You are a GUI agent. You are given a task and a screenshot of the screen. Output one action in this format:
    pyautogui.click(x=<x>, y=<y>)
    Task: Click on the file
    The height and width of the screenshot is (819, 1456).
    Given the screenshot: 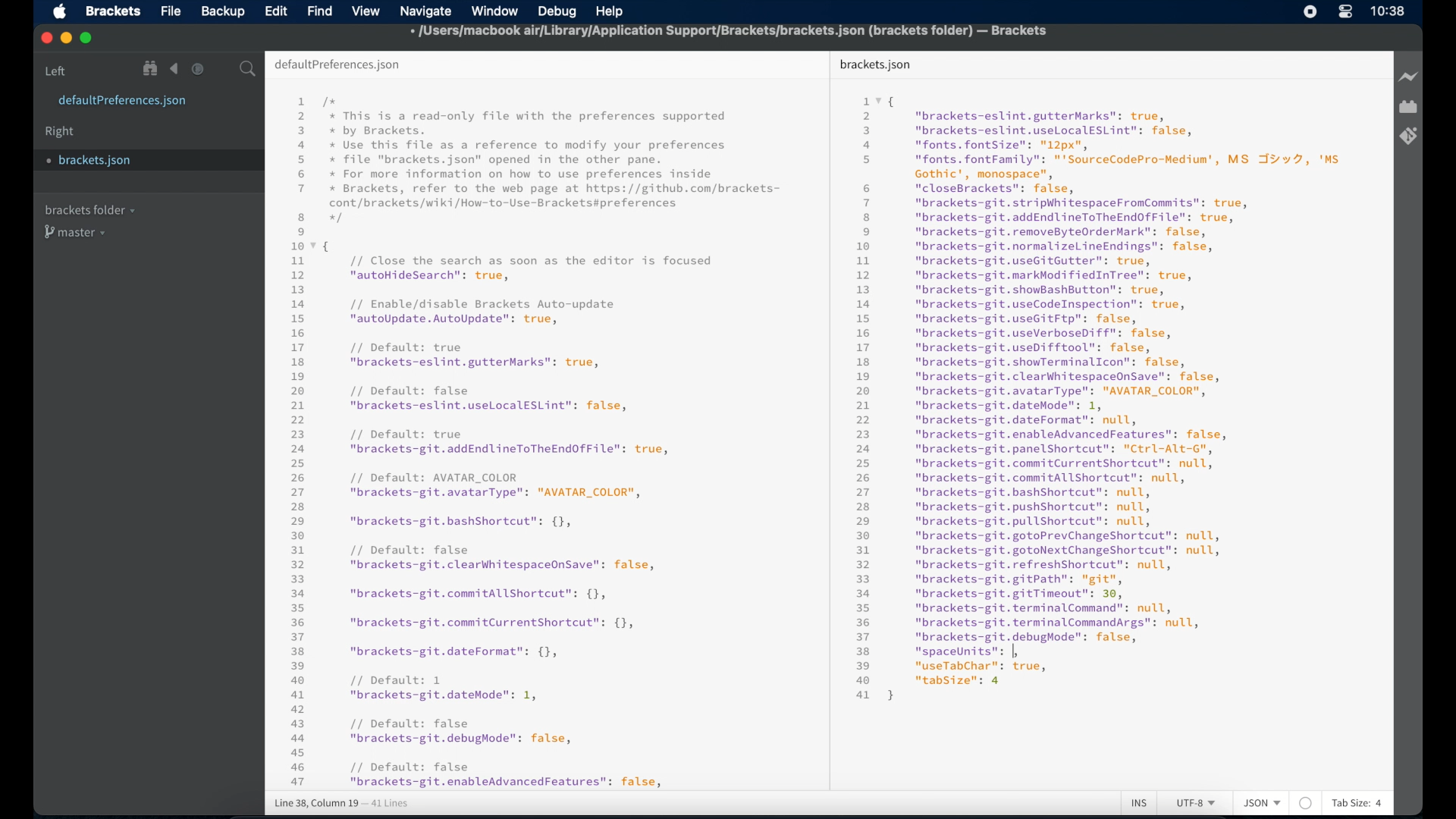 What is the action you would take?
    pyautogui.click(x=172, y=12)
    